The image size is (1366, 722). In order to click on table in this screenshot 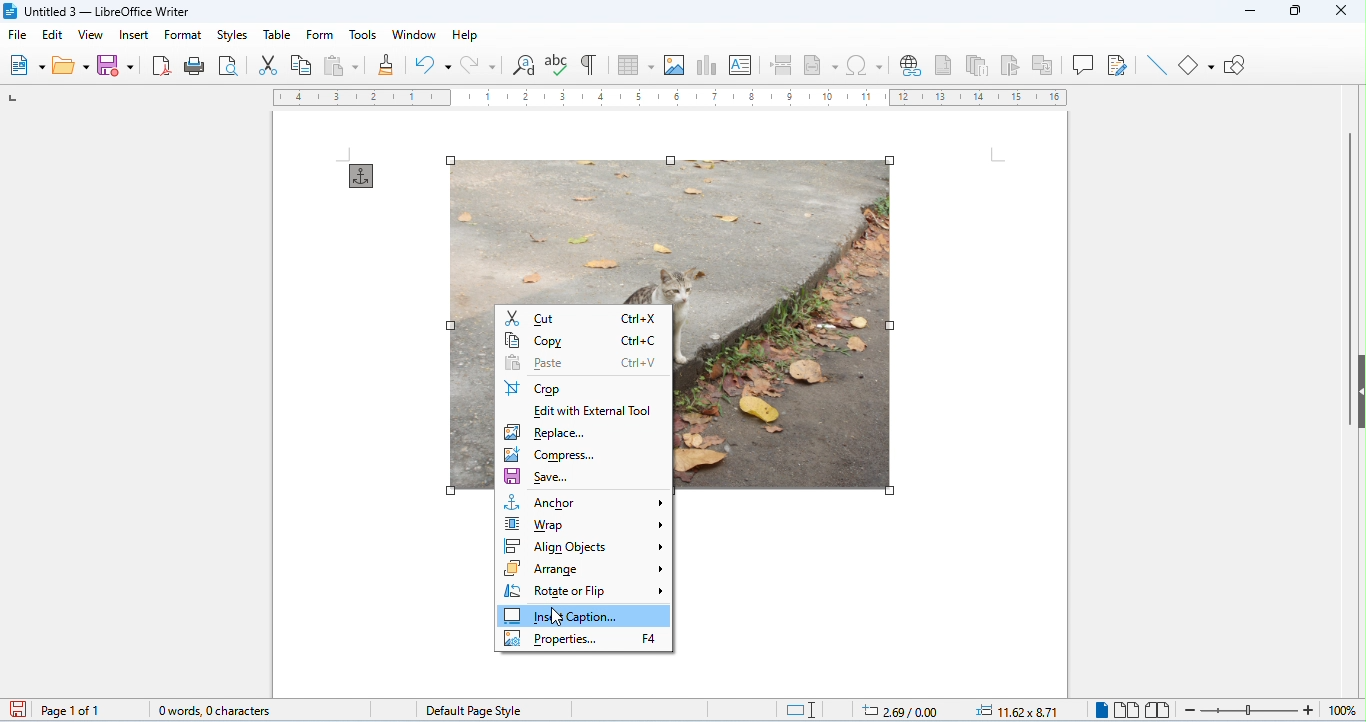, I will do `click(275, 34)`.